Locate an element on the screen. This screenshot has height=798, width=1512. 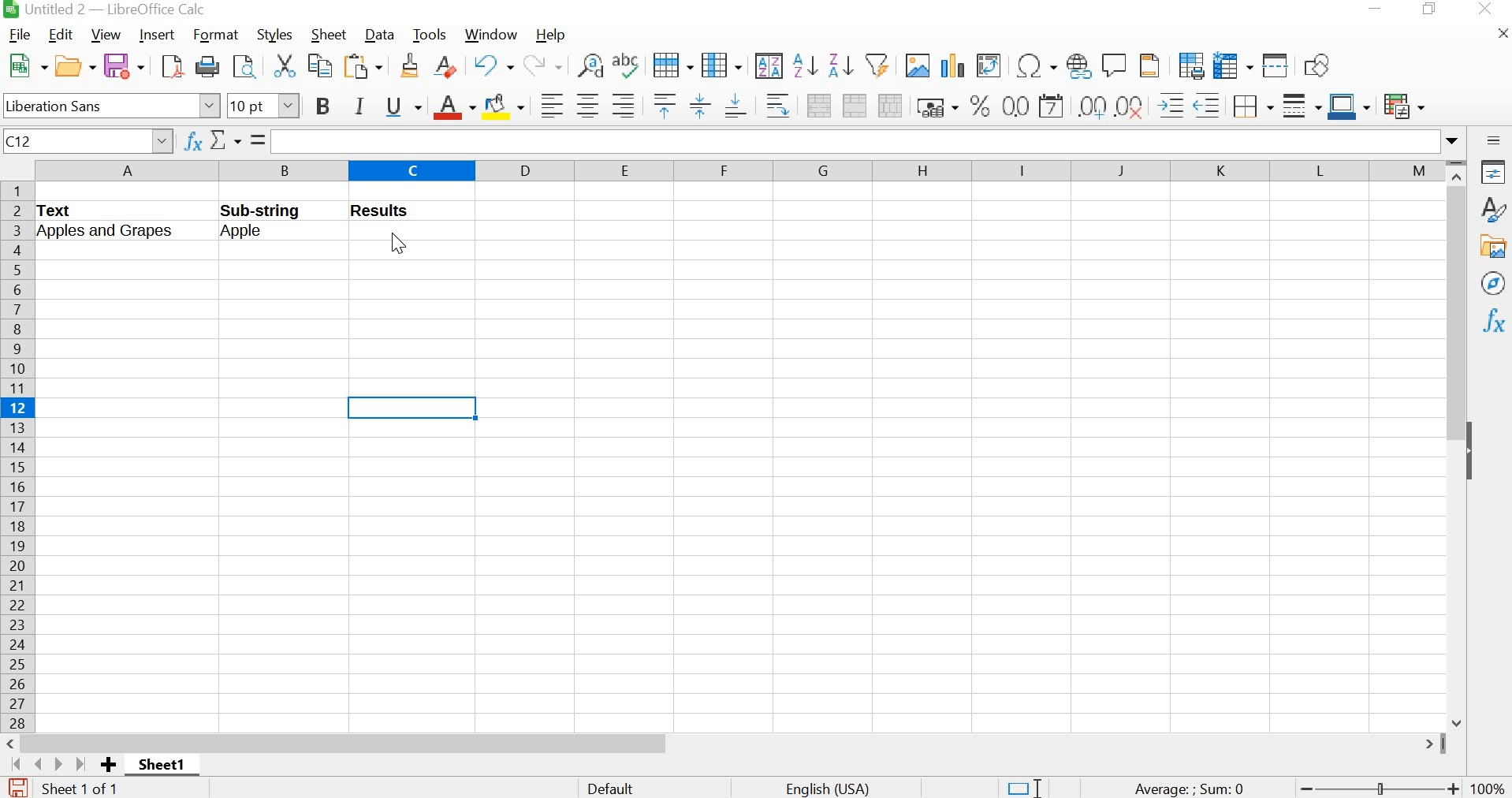
decrease indent is located at coordinates (1207, 104).